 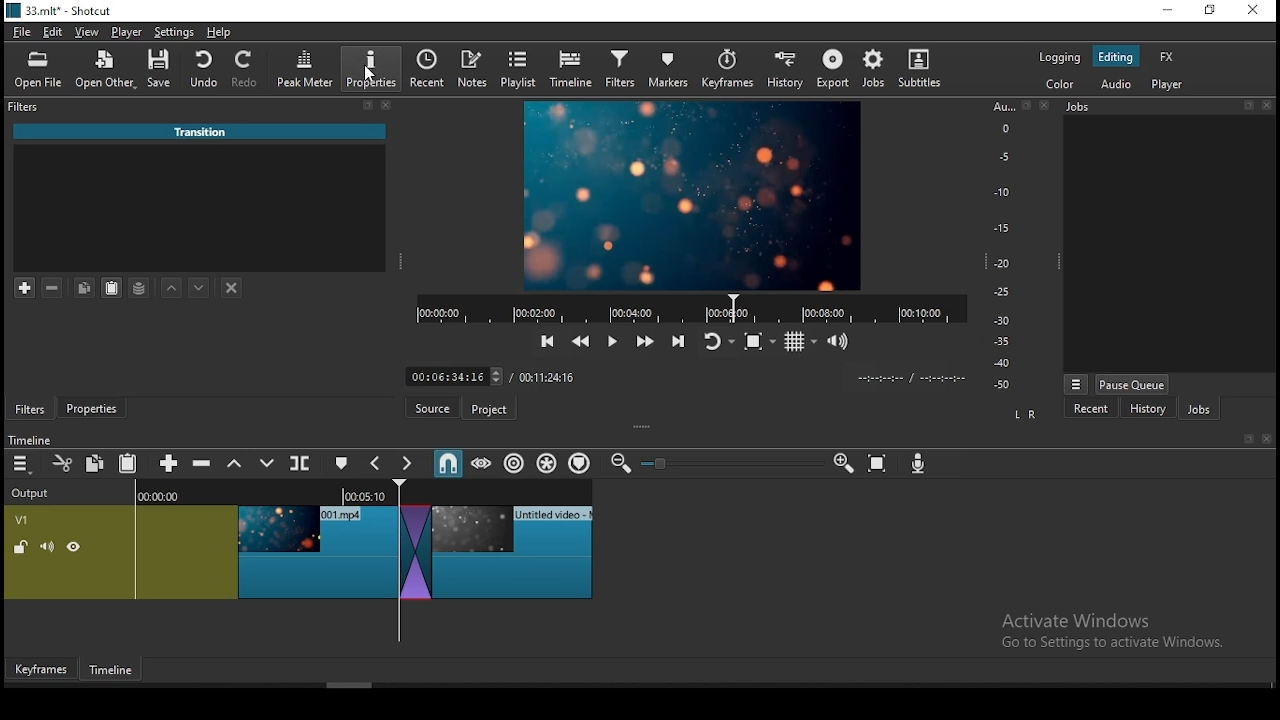 What do you see at coordinates (1025, 106) in the screenshot?
I see `` at bounding box center [1025, 106].